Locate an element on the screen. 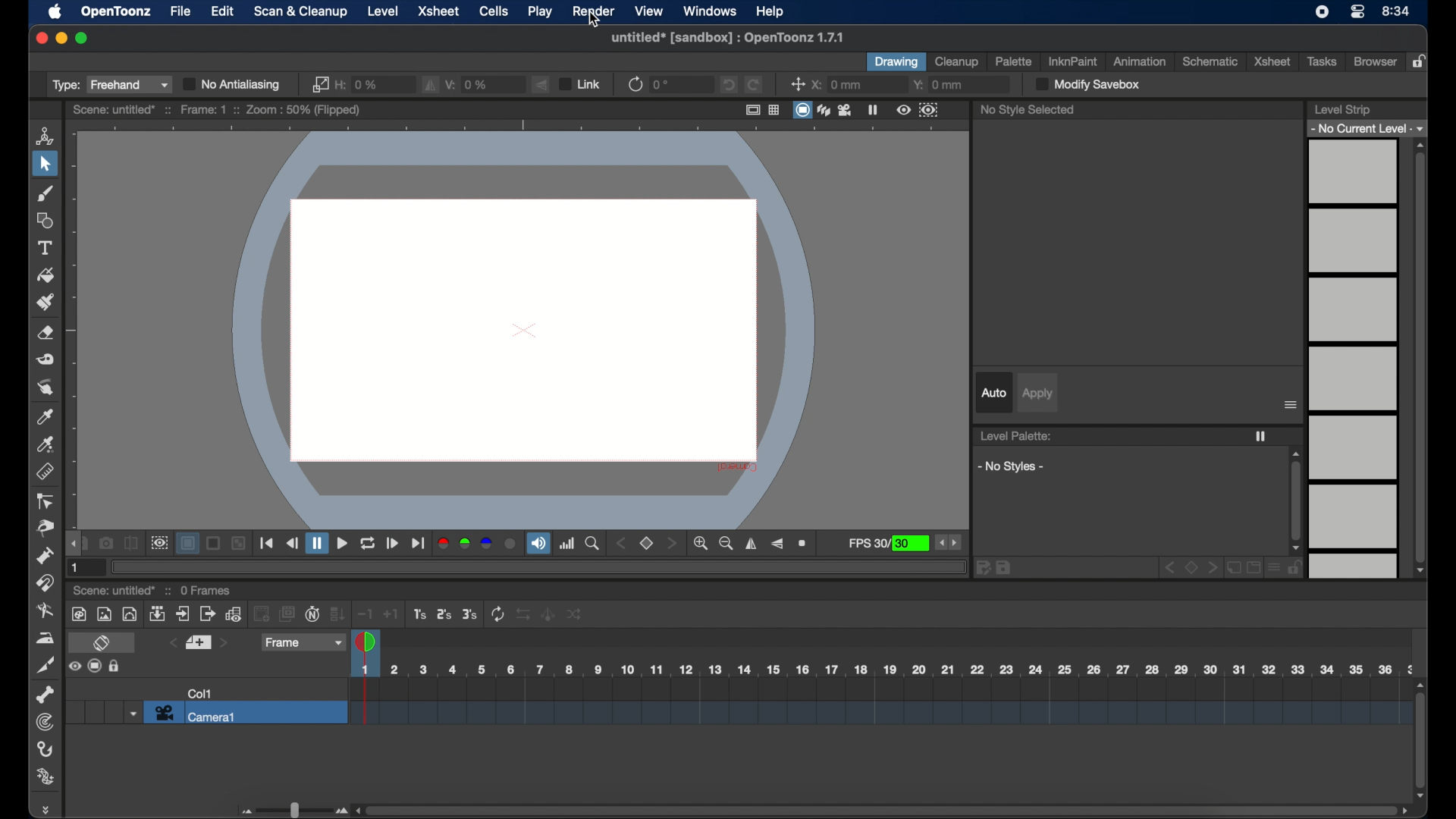  tasks is located at coordinates (1324, 61).